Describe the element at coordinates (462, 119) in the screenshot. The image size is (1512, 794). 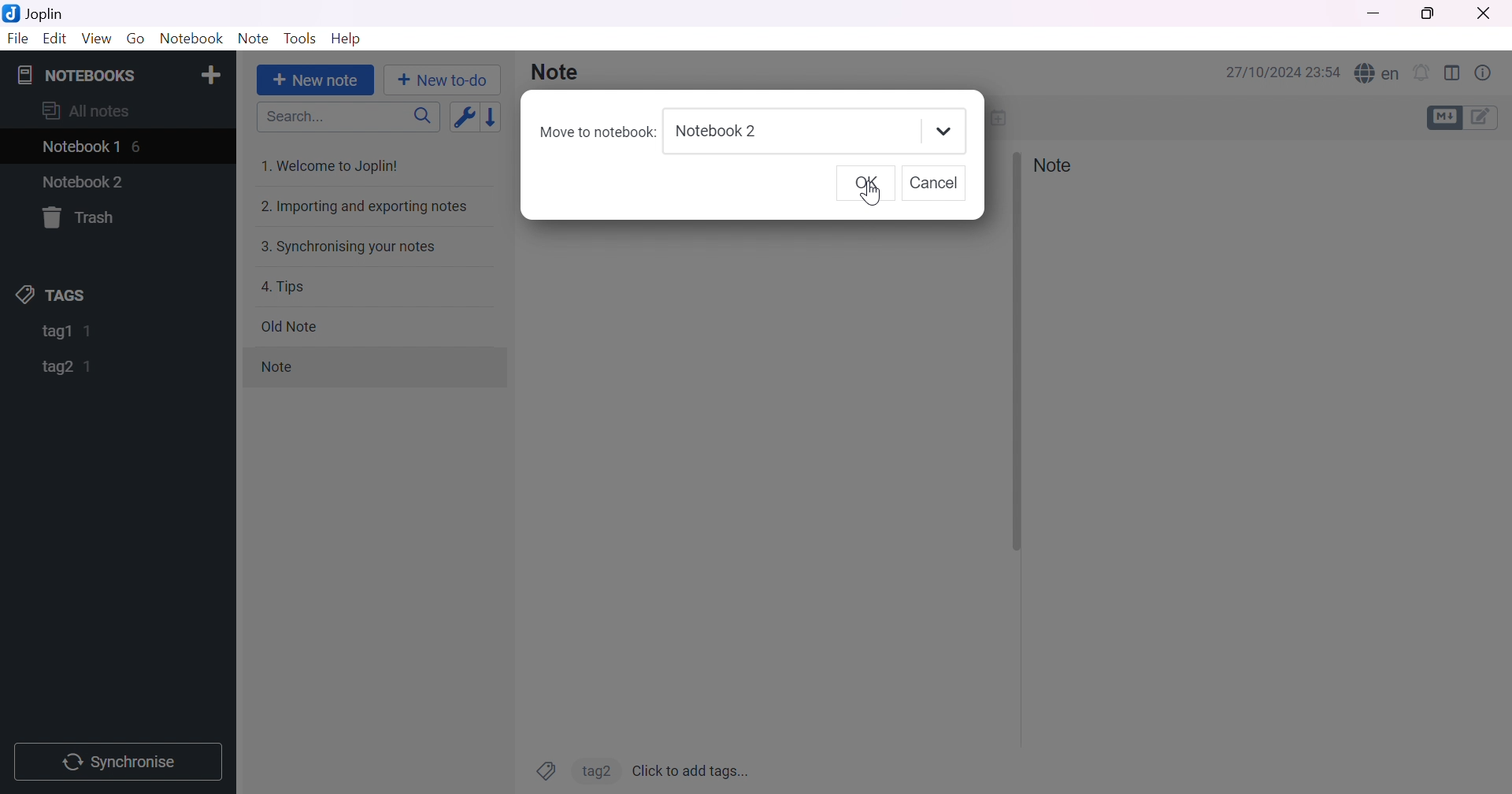
I see `Toggle sort order field: updated date -> created date` at that location.